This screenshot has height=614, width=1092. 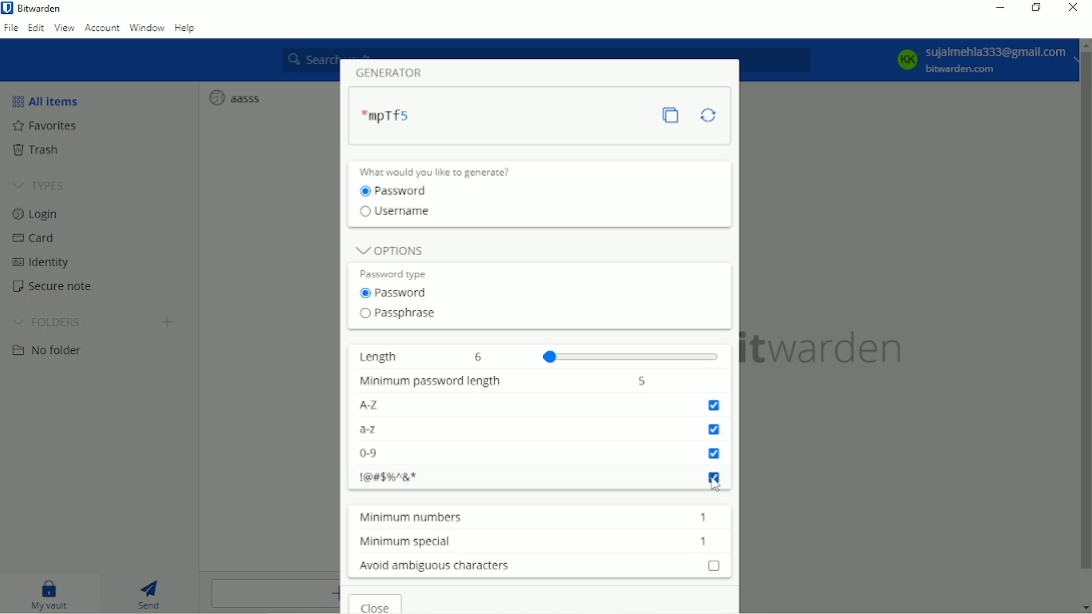 What do you see at coordinates (431, 382) in the screenshot?
I see `Minimum password length` at bounding box center [431, 382].